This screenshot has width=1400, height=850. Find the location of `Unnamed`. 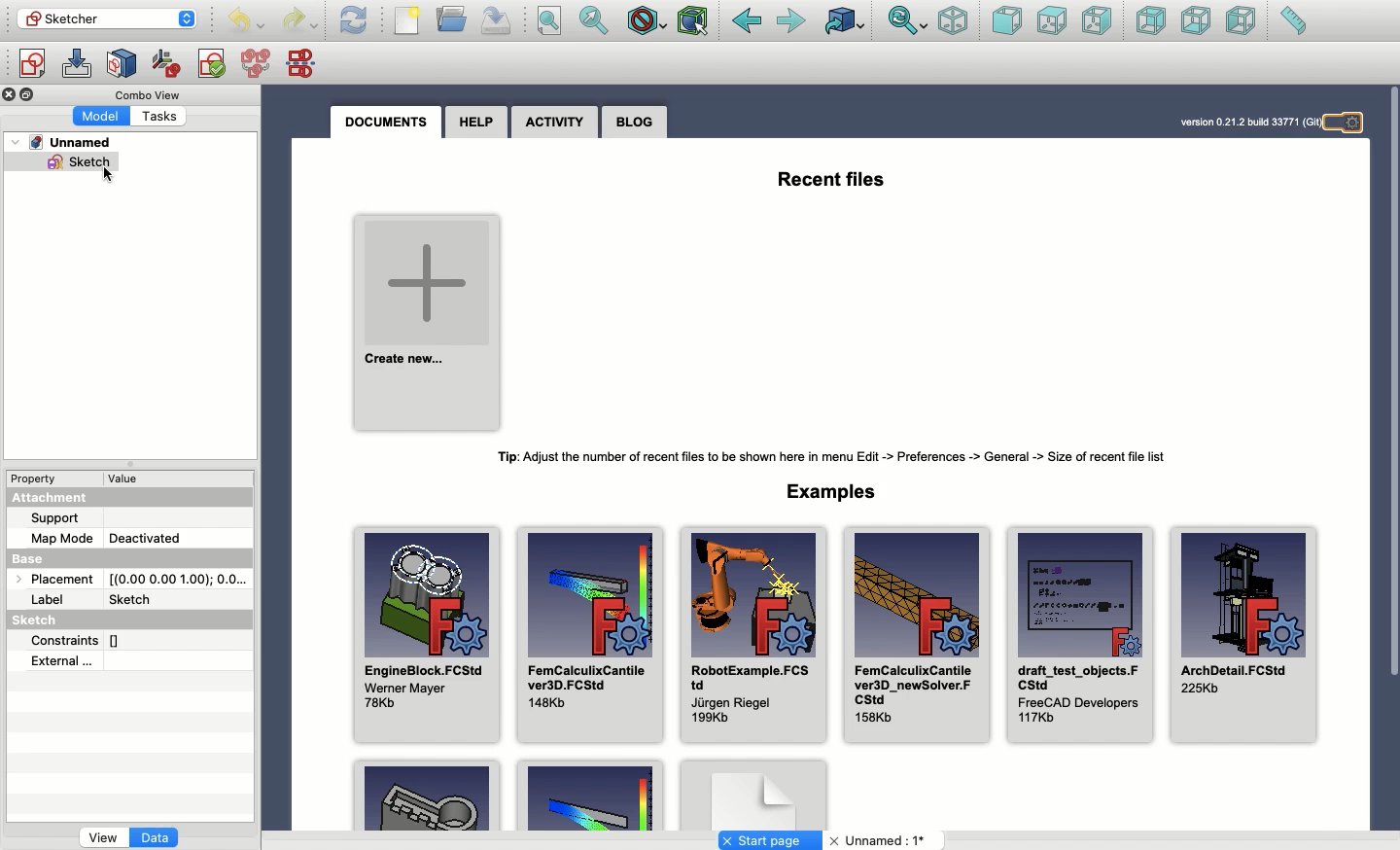

Unnamed is located at coordinates (881, 841).